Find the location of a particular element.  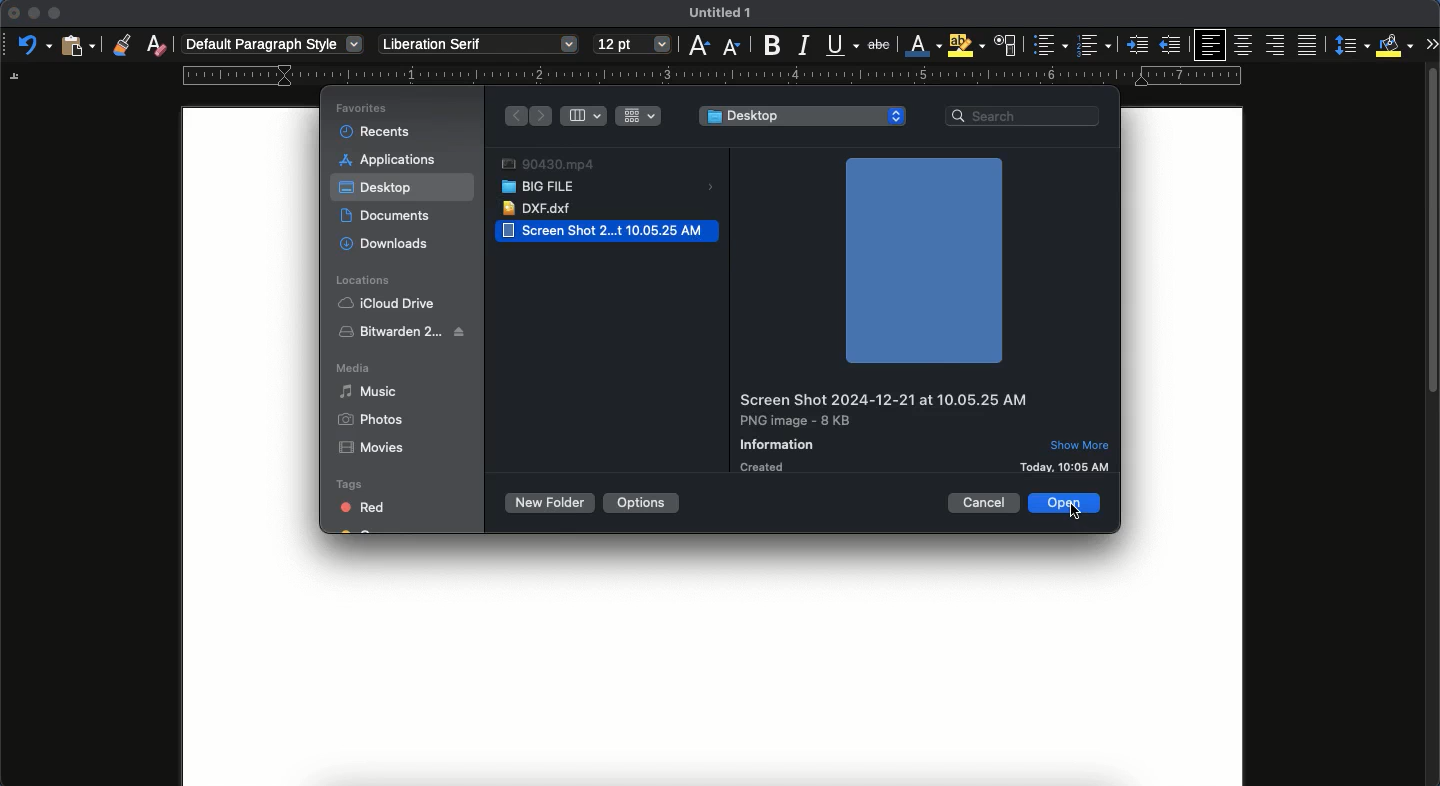

undo is located at coordinates (33, 46).